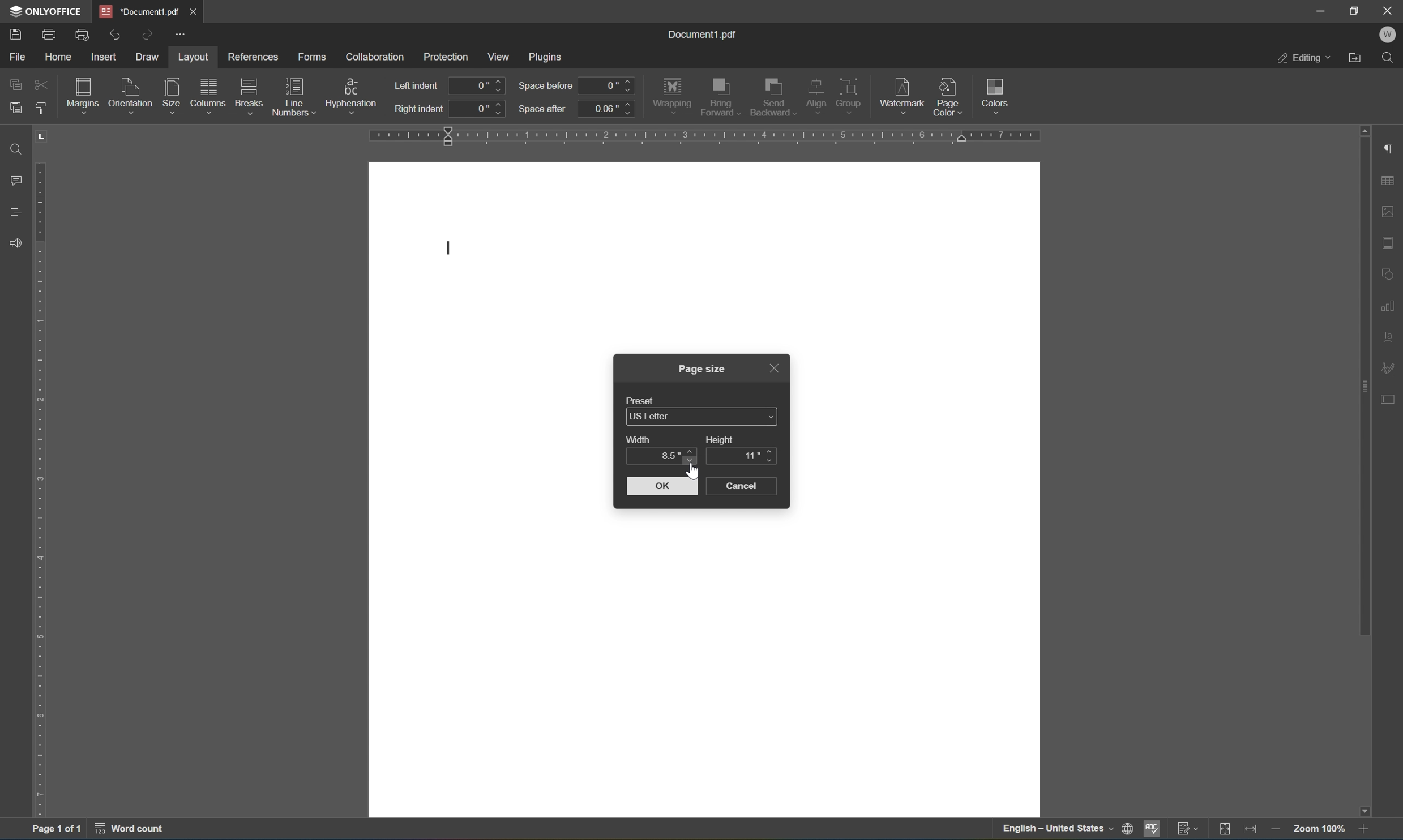 The height and width of the screenshot is (840, 1403). I want to click on watermark, so click(901, 92).